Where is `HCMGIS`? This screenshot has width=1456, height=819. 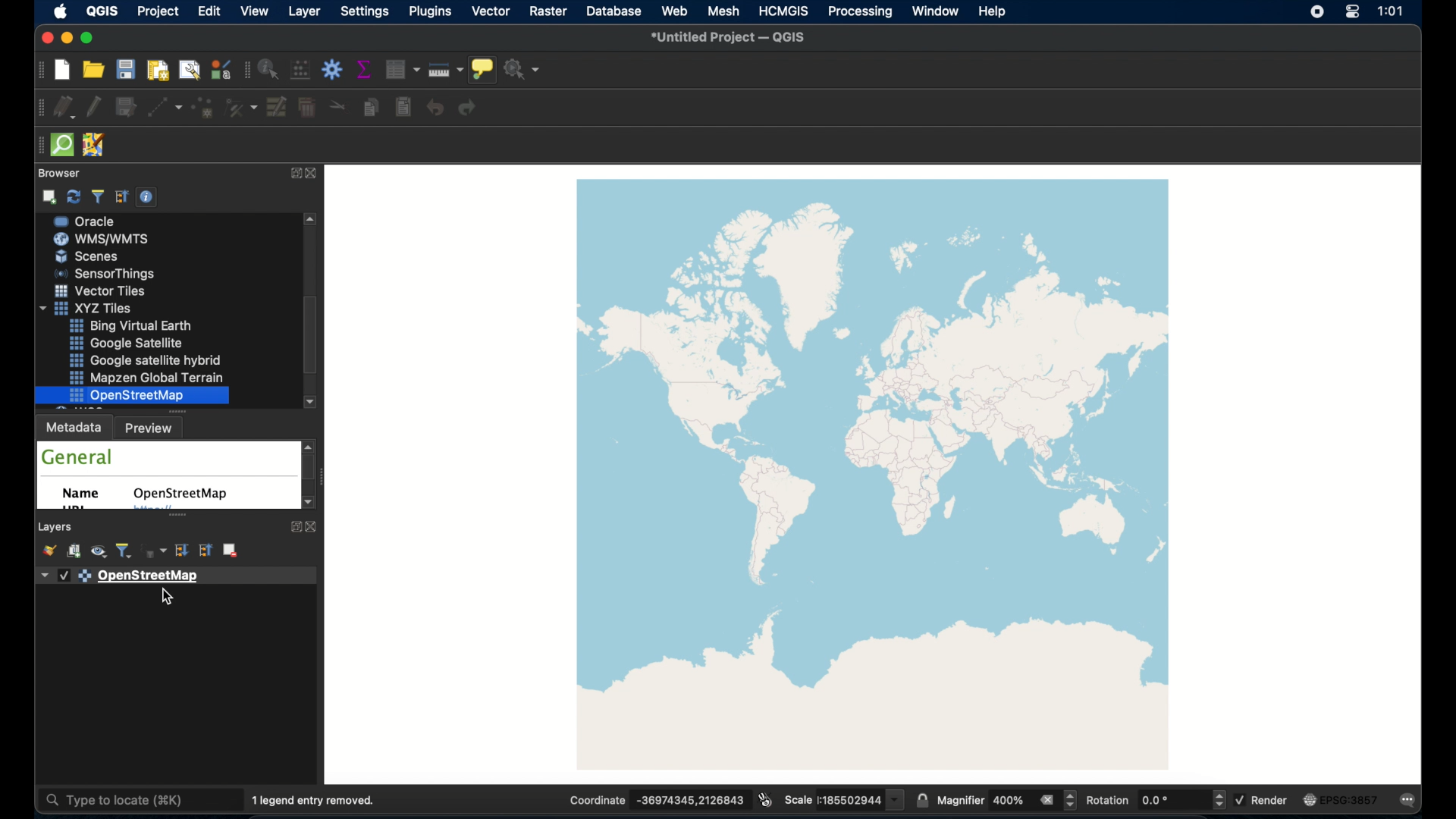 HCMGIS is located at coordinates (783, 11).